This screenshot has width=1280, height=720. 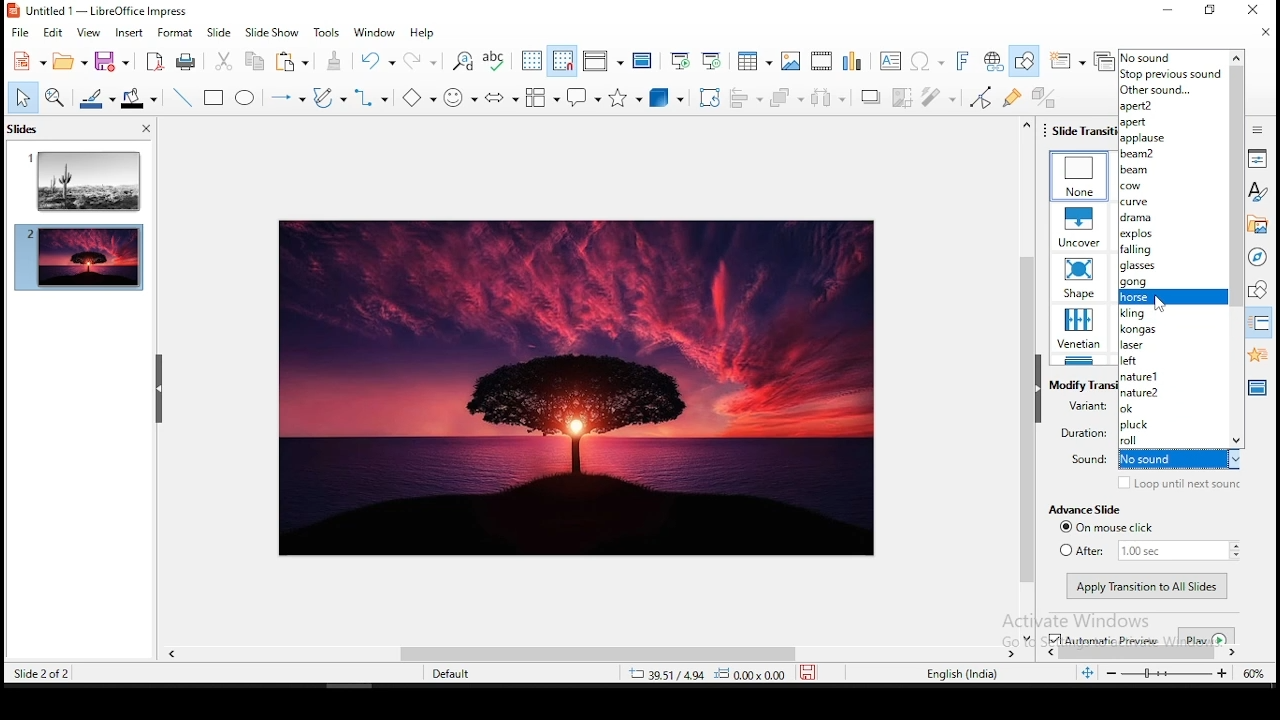 I want to click on animation, so click(x=1256, y=353).